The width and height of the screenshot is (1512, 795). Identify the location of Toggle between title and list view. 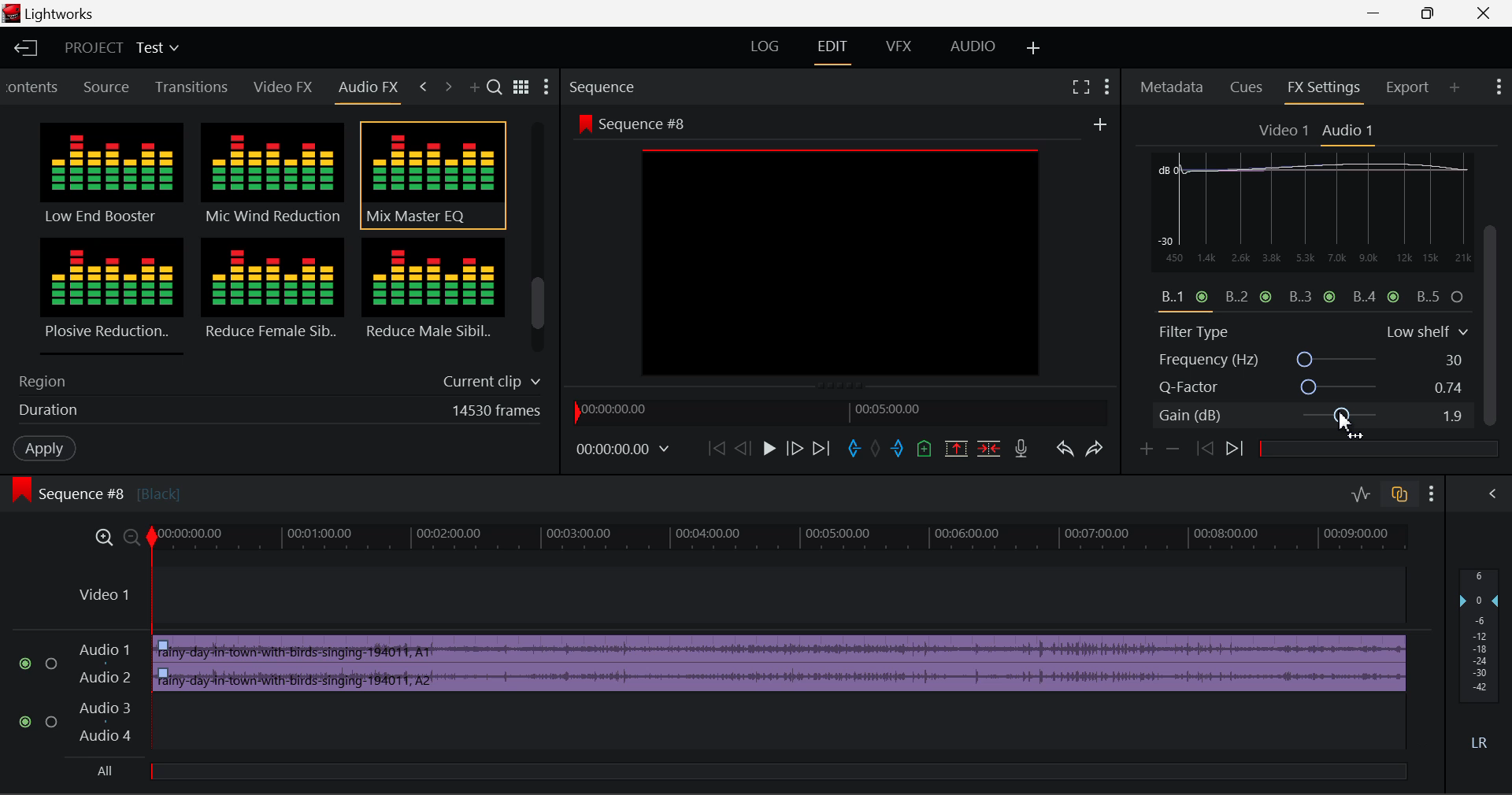
(524, 85).